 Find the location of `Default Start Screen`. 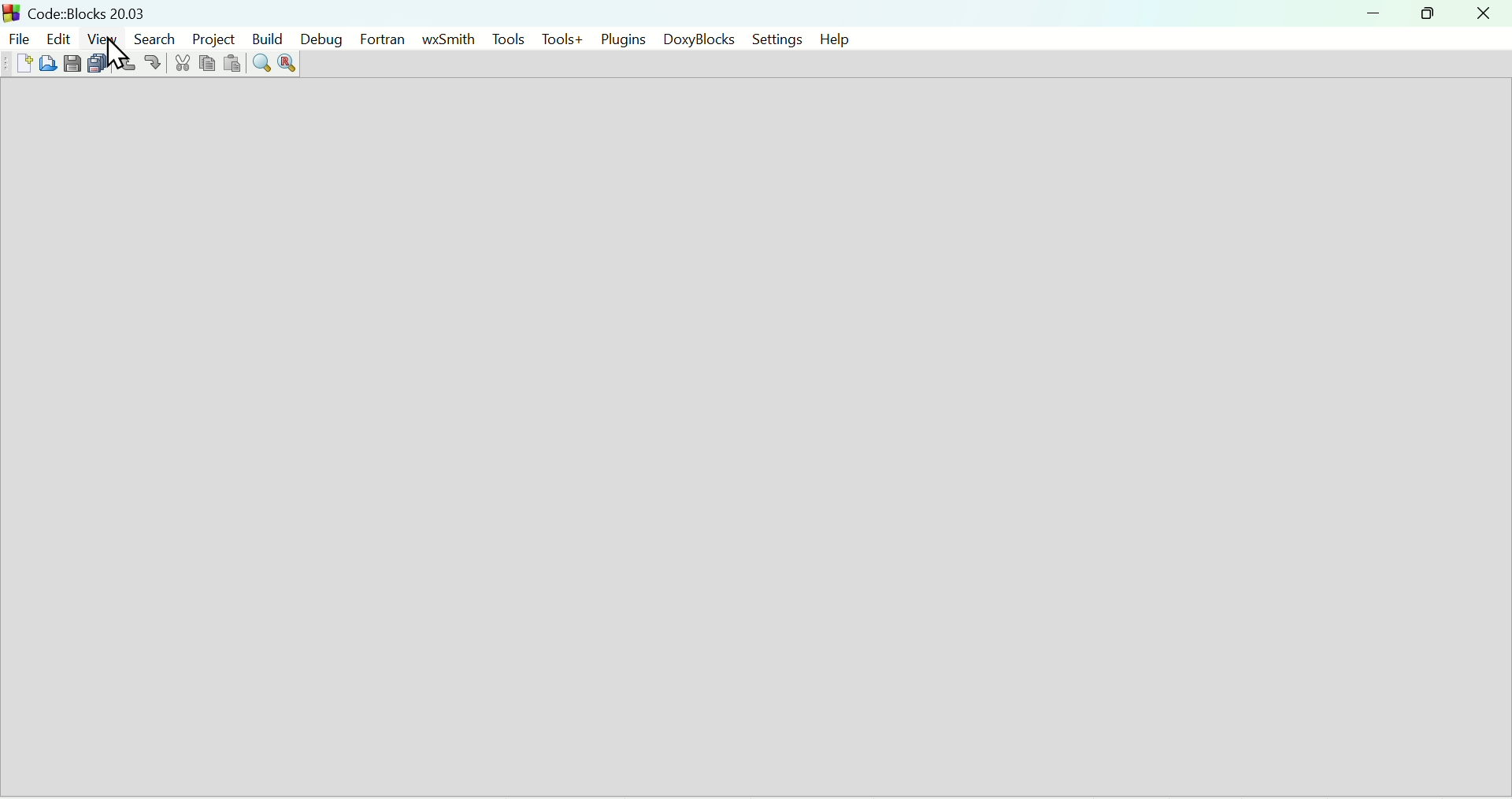

Default Start Screen is located at coordinates (755, 438).